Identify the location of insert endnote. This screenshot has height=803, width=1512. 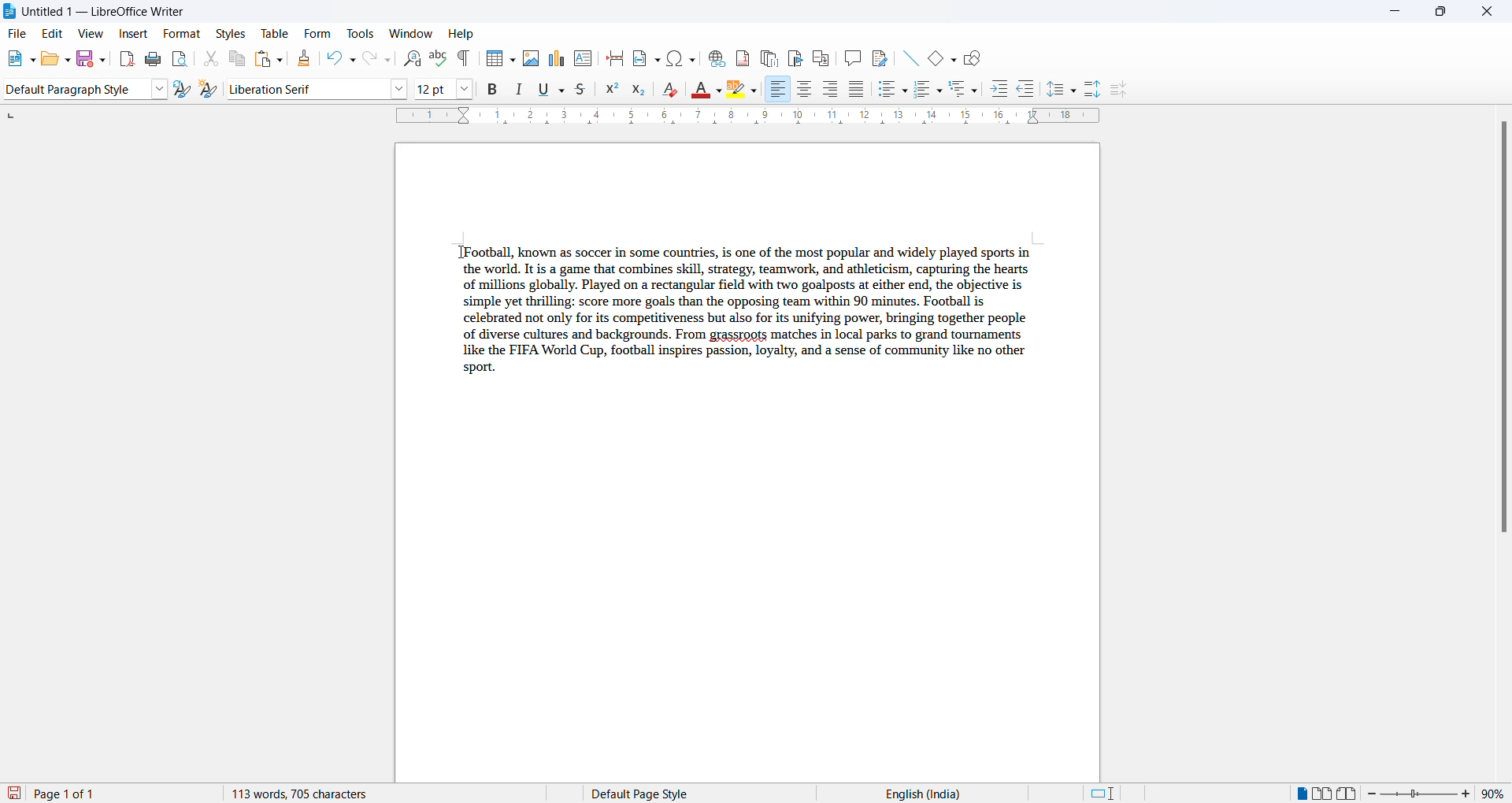
(769, 56).